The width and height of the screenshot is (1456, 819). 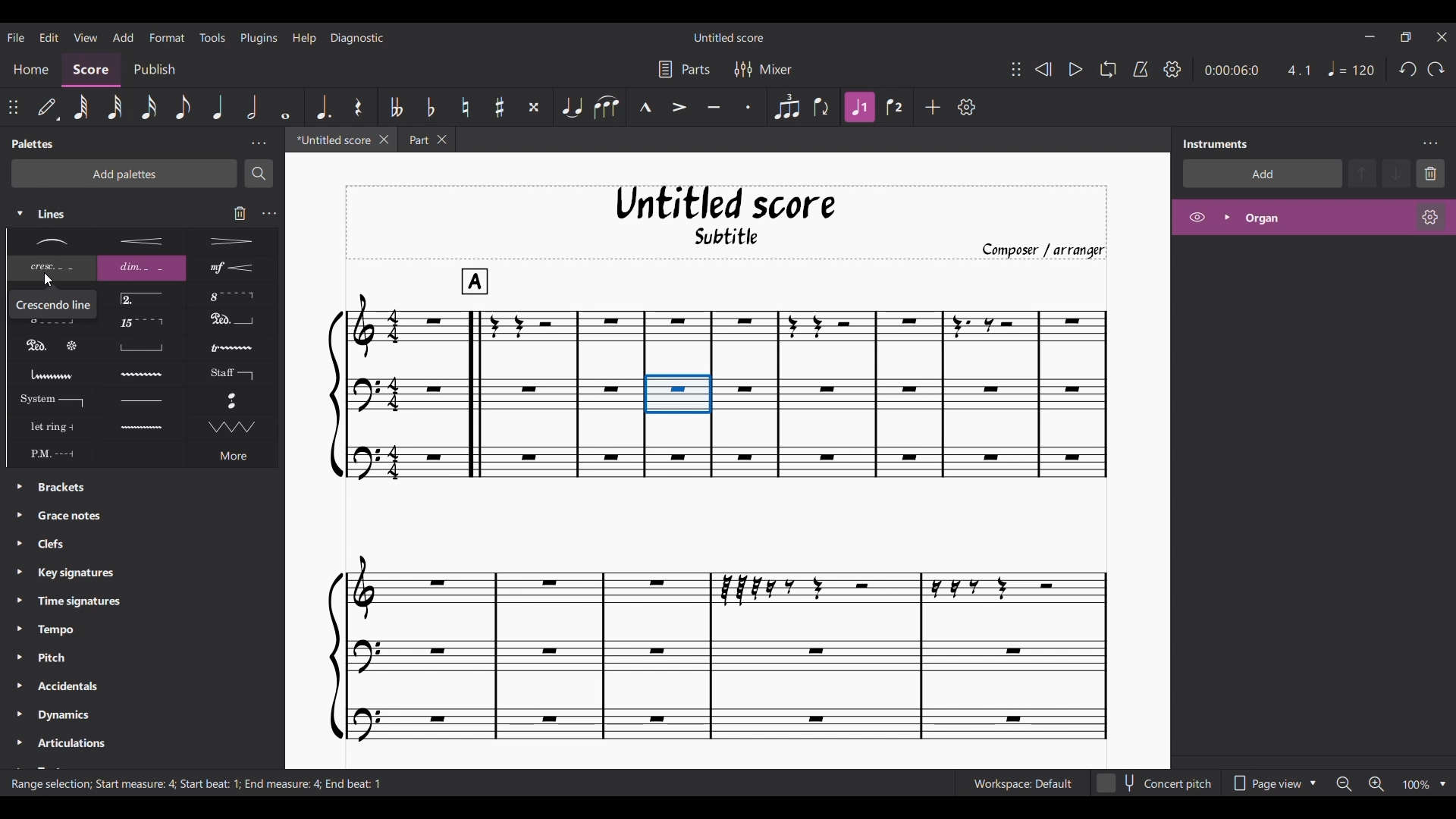 I want to click on Show interface in a smaller tab, so click(x=1405, y=37).